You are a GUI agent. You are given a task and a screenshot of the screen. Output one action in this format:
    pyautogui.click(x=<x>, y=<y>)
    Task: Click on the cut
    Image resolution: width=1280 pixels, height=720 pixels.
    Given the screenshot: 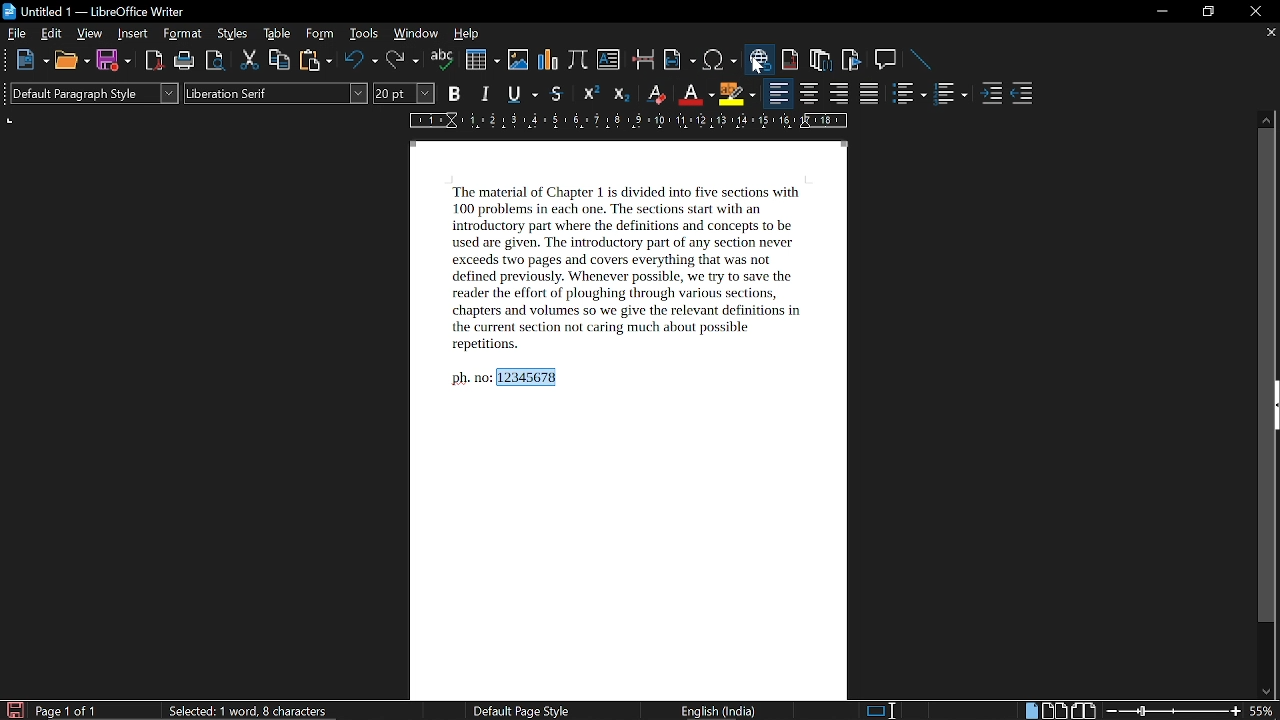 What is the action you would take?
    pyautogui.click(x=250, y=61)
    